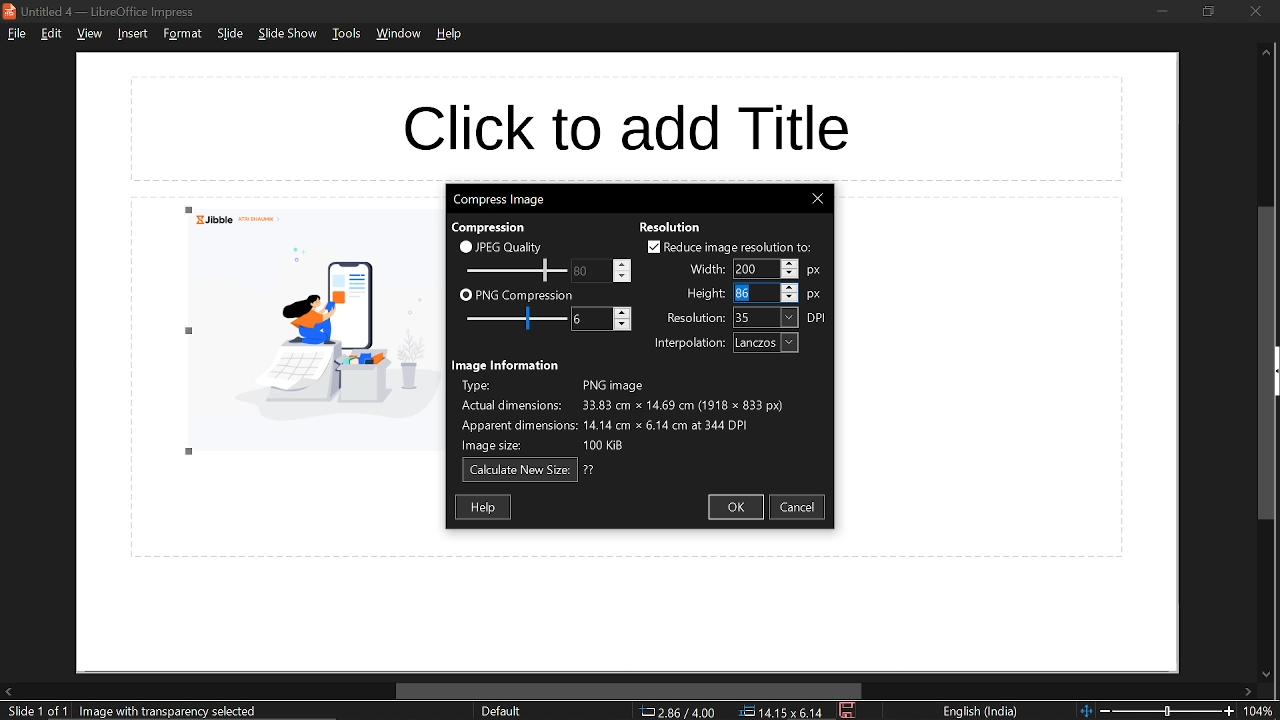 The width and height of the screenshot is (1280, 720). Describe the element at coordinates (501, 711) in the screenshot. I see `slide style` at that location.